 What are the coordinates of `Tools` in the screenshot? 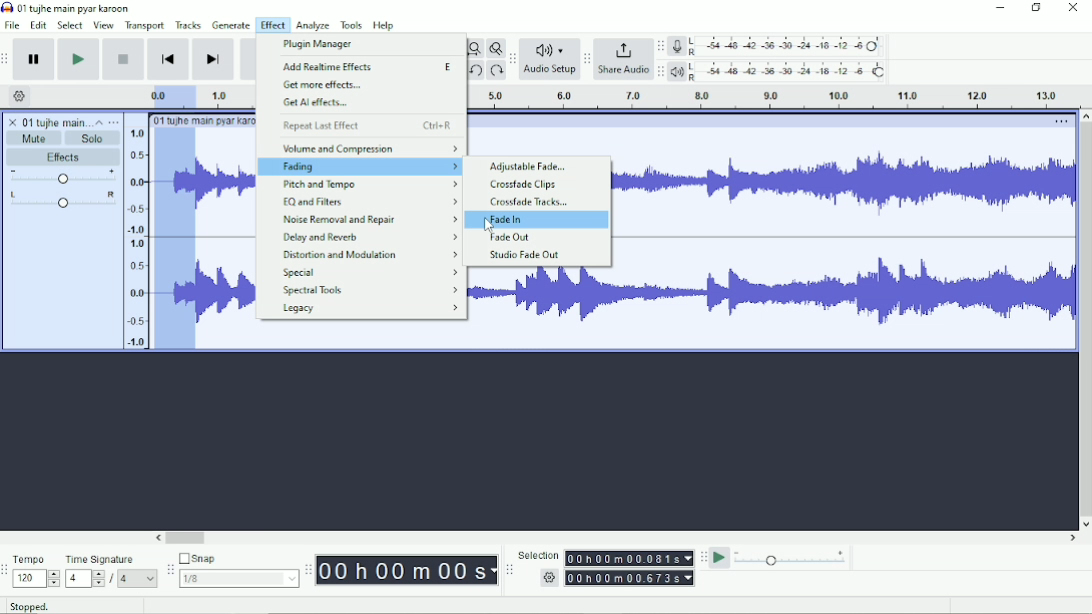 It's located at (352, 25).